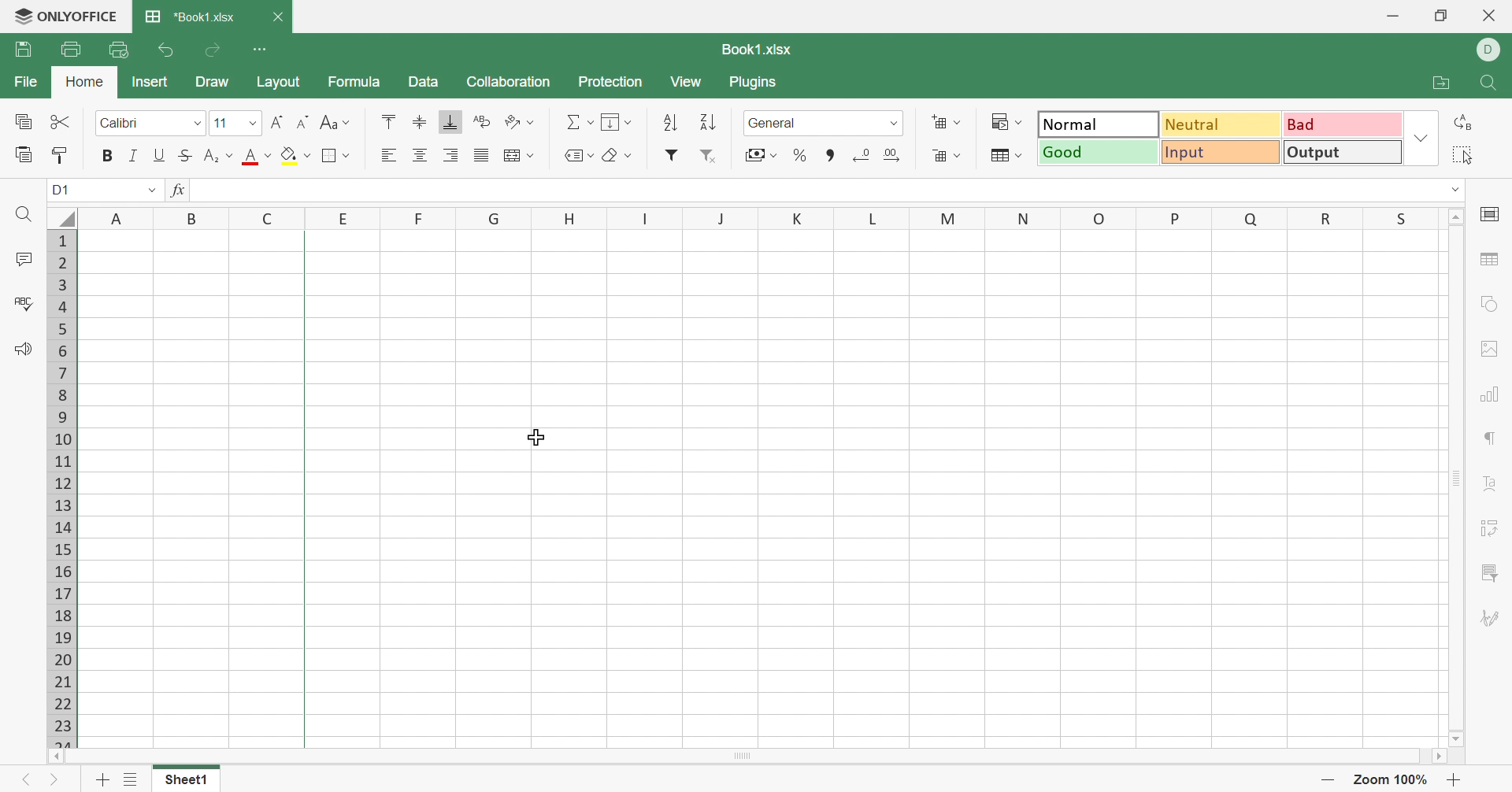 This screenshot has height=792, width=1512. What do you see at coordinates (215, 49) in the screenshot?
I see `Redo` at bounding box center [215, 49].